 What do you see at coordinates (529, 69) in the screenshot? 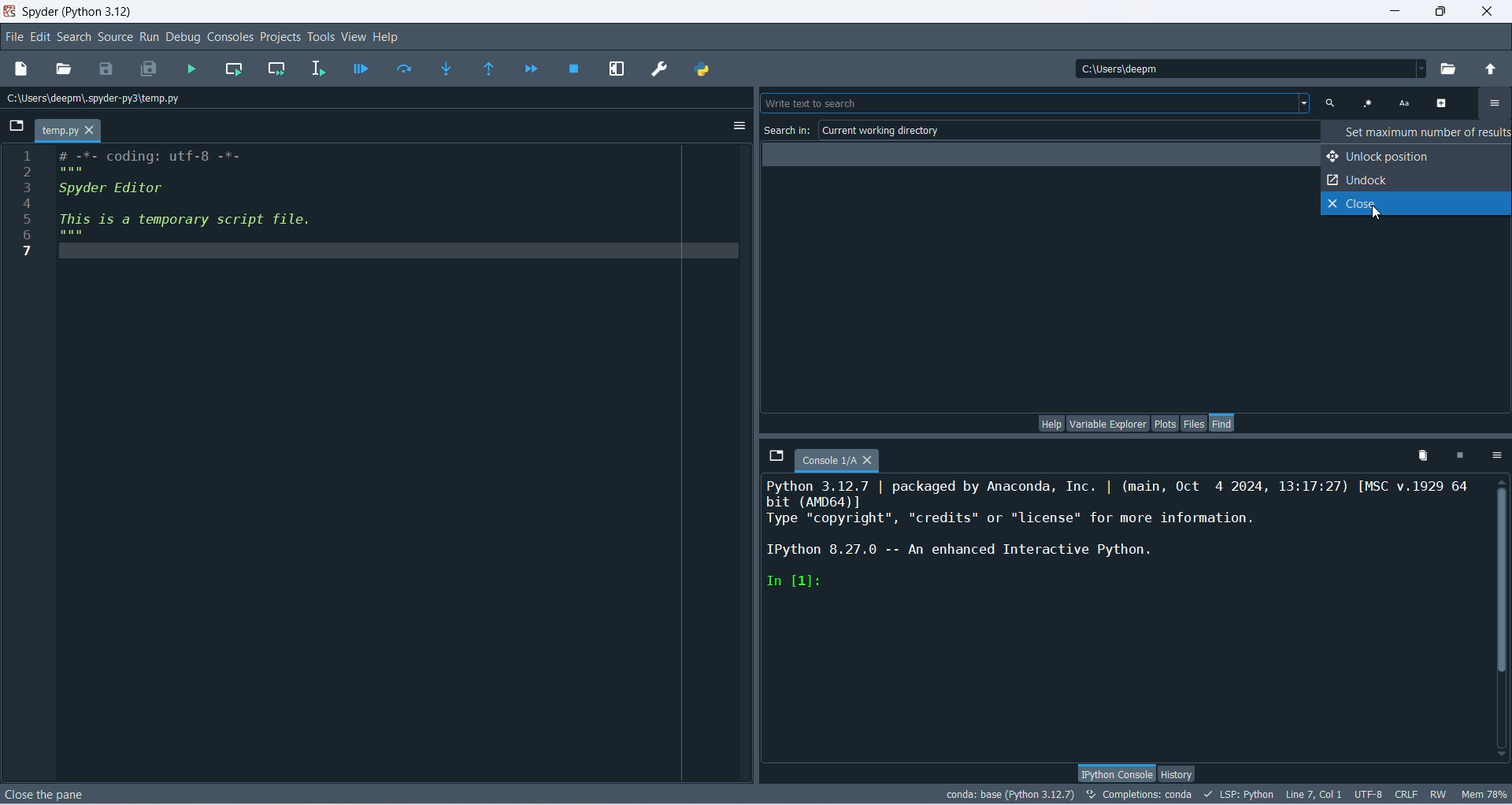
I see `continue execution until next breakpoint` at bounding box center [529, 69].